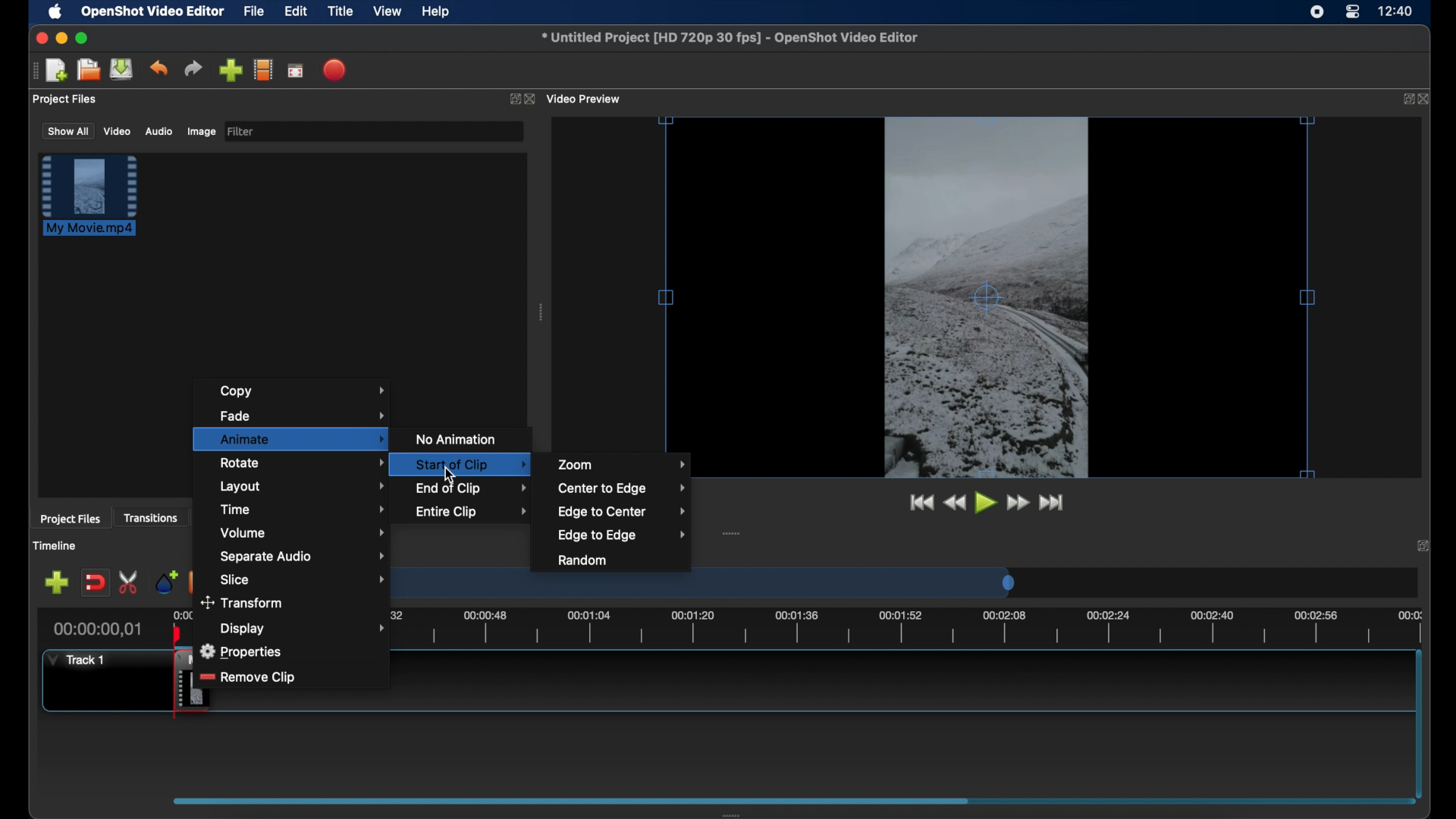 The image size is (1456, 819). Describe the element at coordinates (712, 585) in the screenshot. I see `timeline scale` at that location.